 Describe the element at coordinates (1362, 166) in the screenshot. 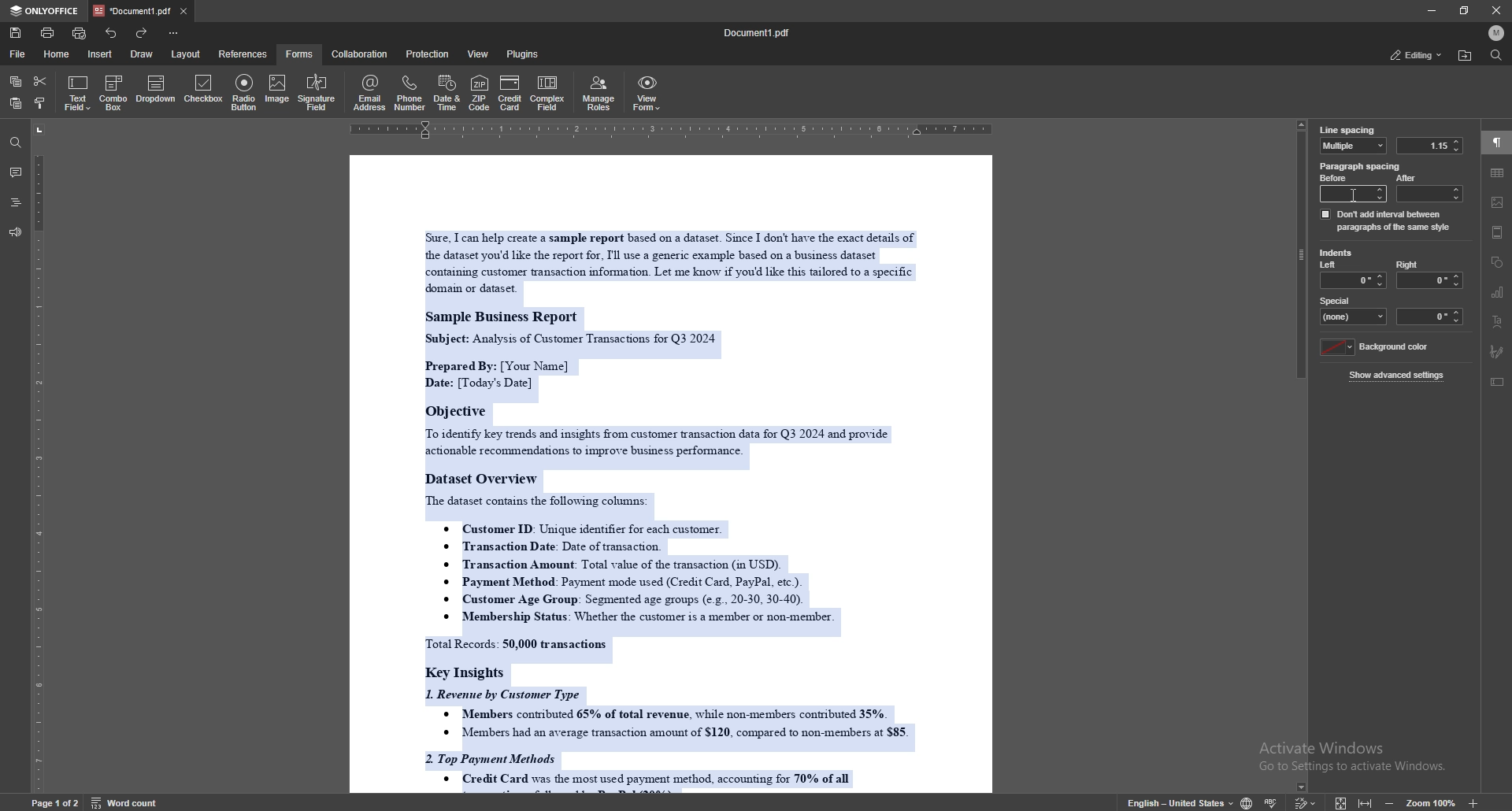

I see `paragraph spacing` at that location.